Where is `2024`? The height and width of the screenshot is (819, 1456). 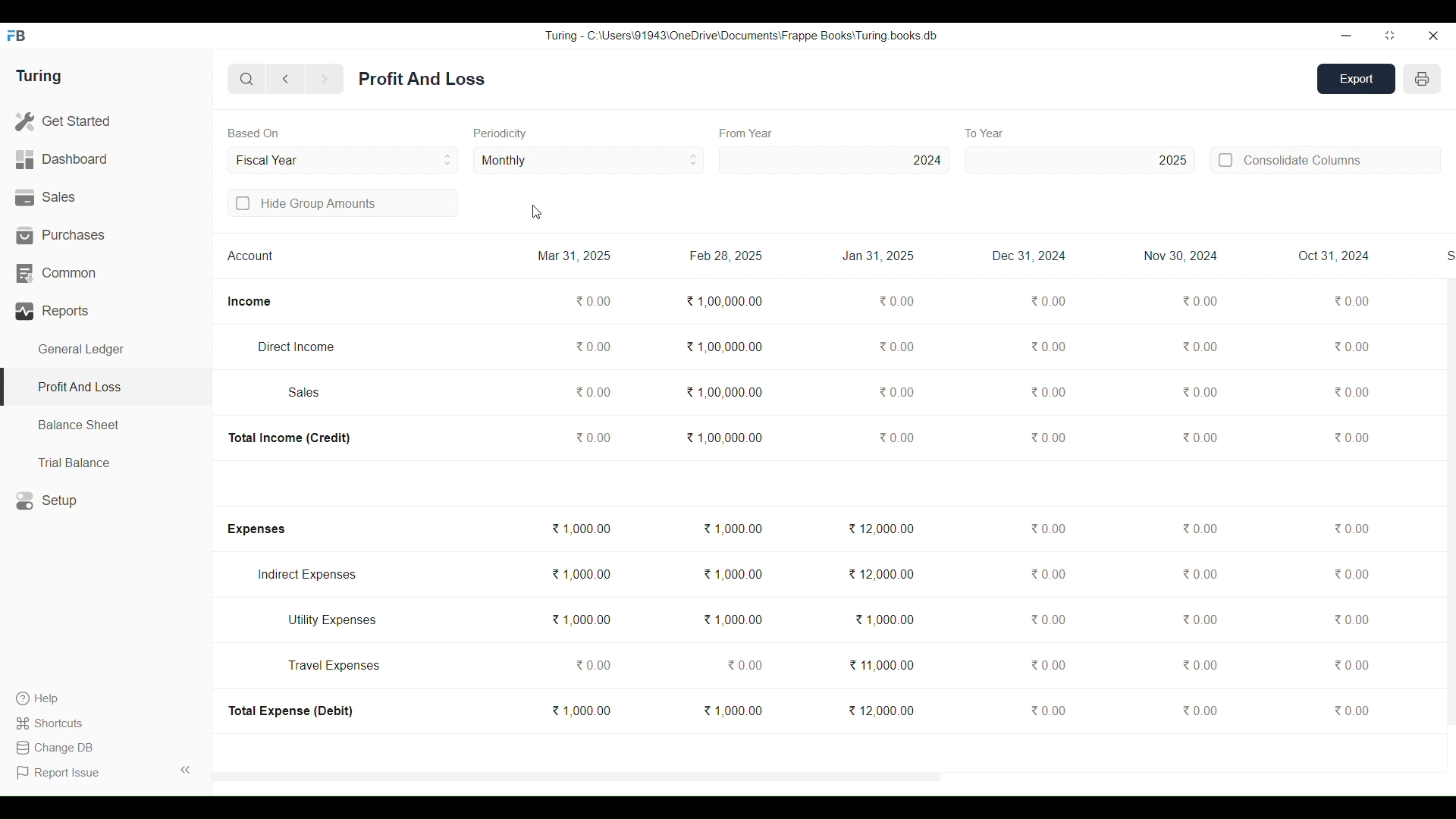
2024 is located at coordinates (834, 160).